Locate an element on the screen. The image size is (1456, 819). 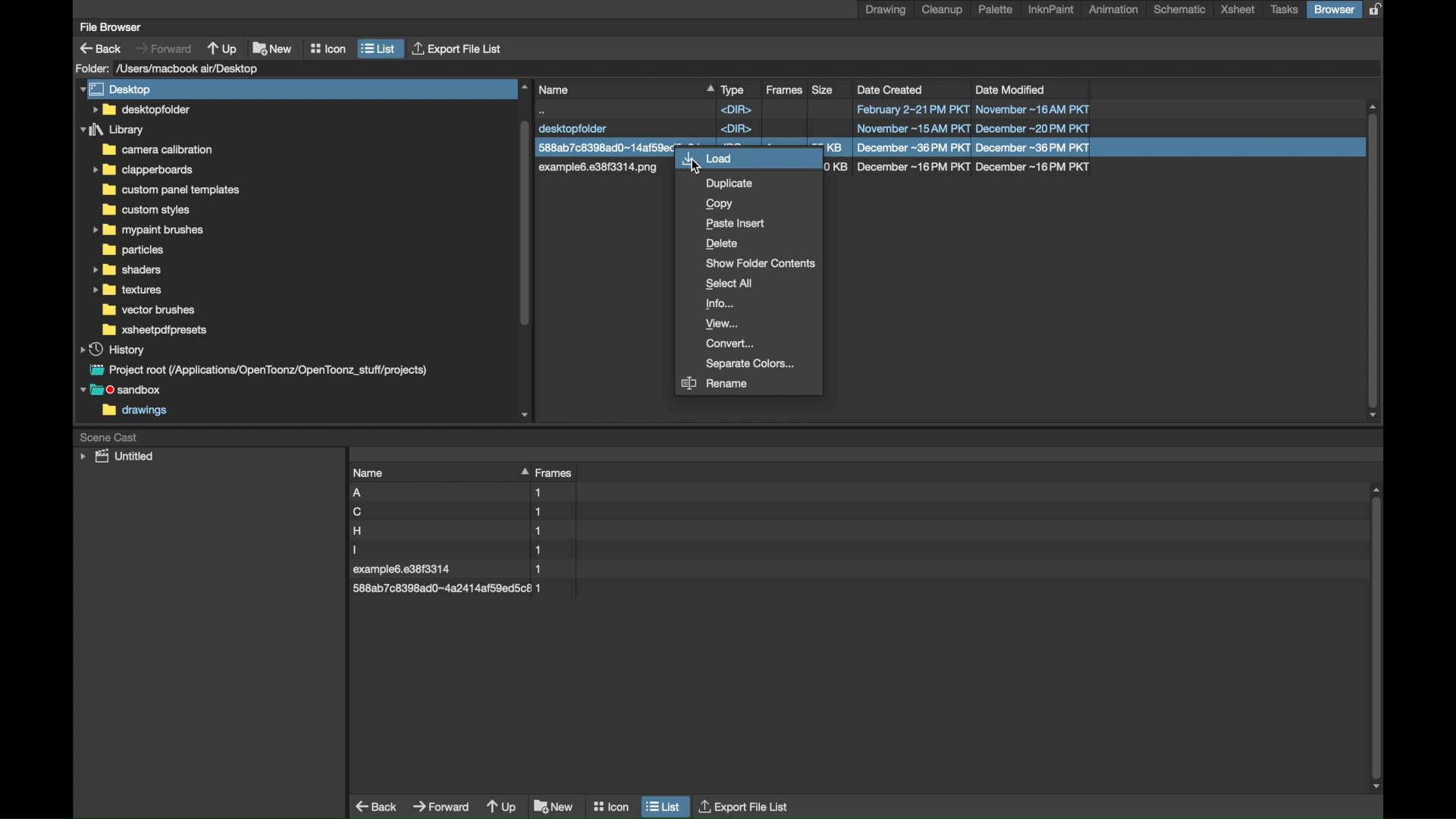
duplicate is located at coordinates (731, 184).